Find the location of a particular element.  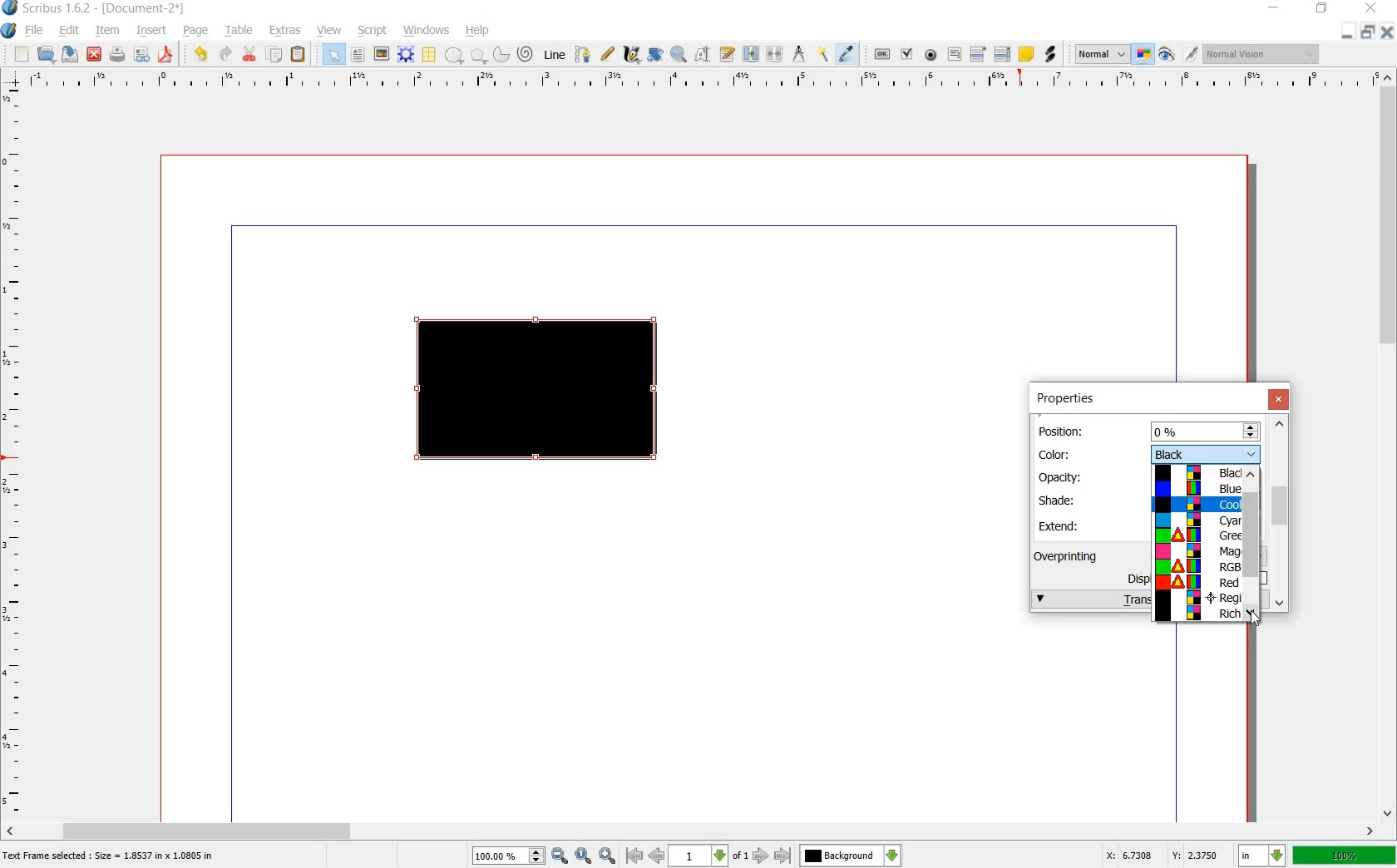

in is located at coordinates (1263, 856).